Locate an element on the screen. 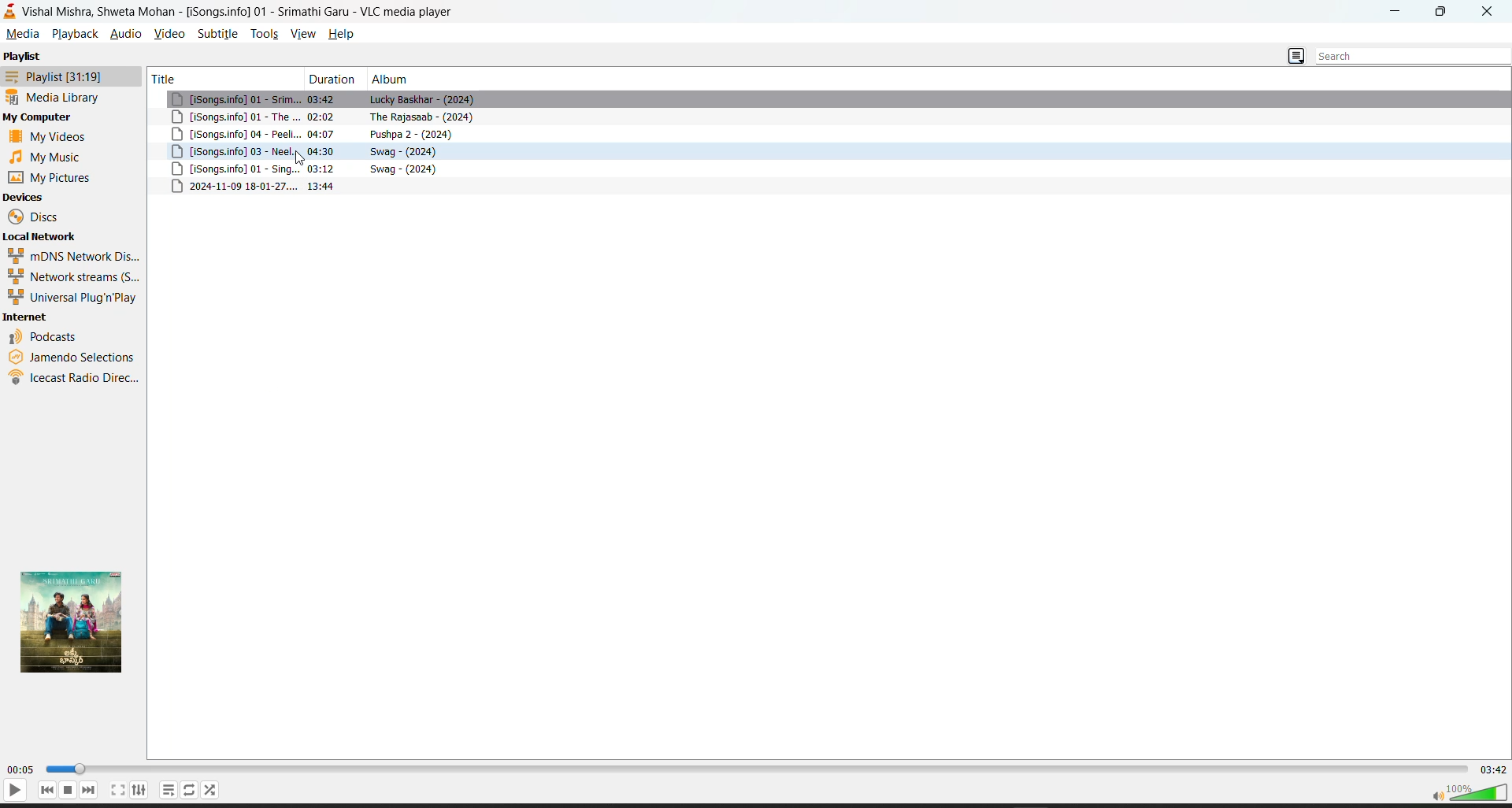 This screenshot has height=808, width=1512. song is located at coordinates (829, 135).